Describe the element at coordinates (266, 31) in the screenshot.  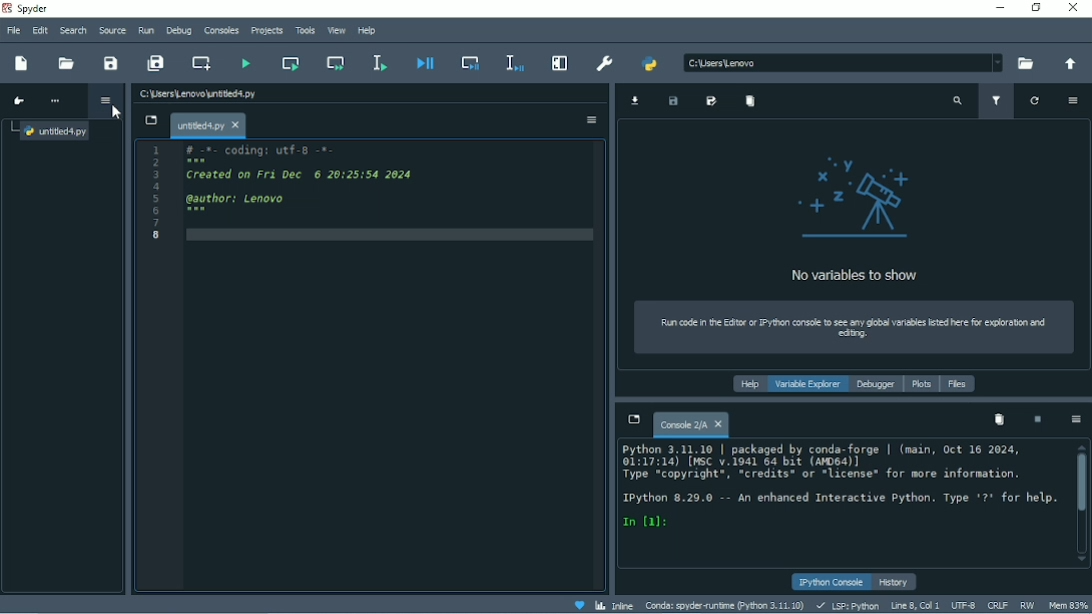
I see `Projects` at that location.